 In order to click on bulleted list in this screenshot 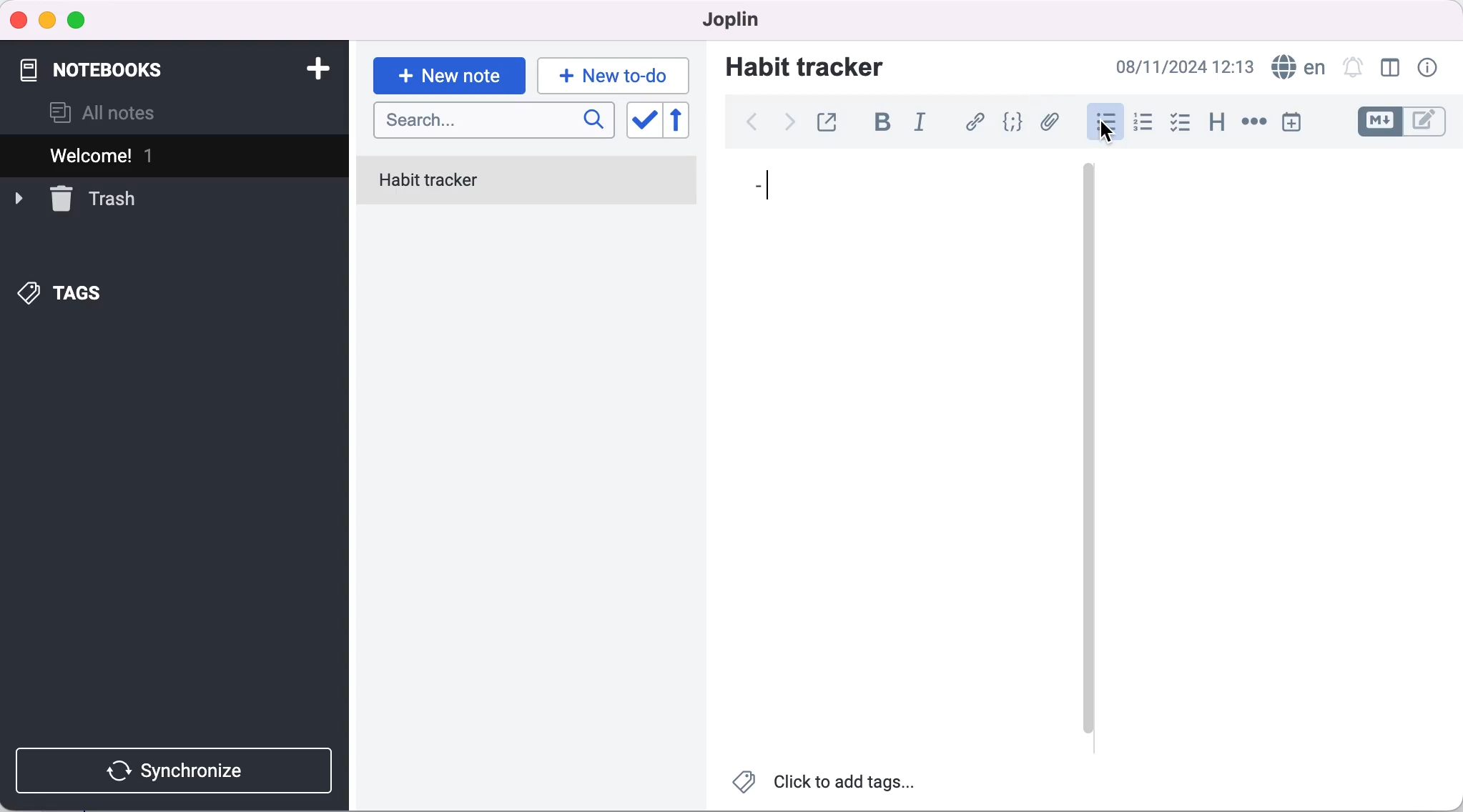, I will do `click(1101, 124)`.